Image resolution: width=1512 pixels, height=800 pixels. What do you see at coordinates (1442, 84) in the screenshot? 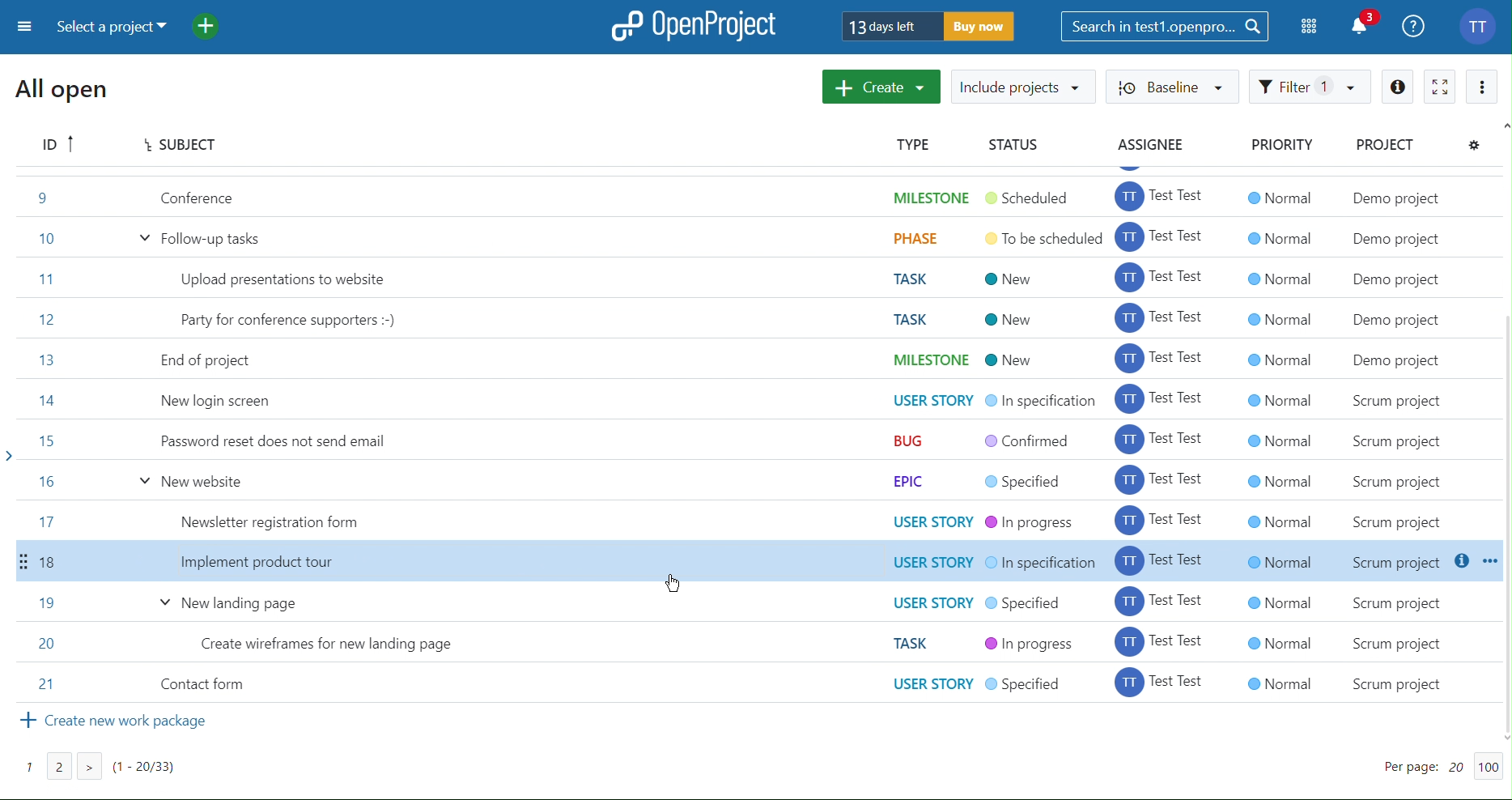
I see `Fullscreen` at bounding box center [1442, 84].